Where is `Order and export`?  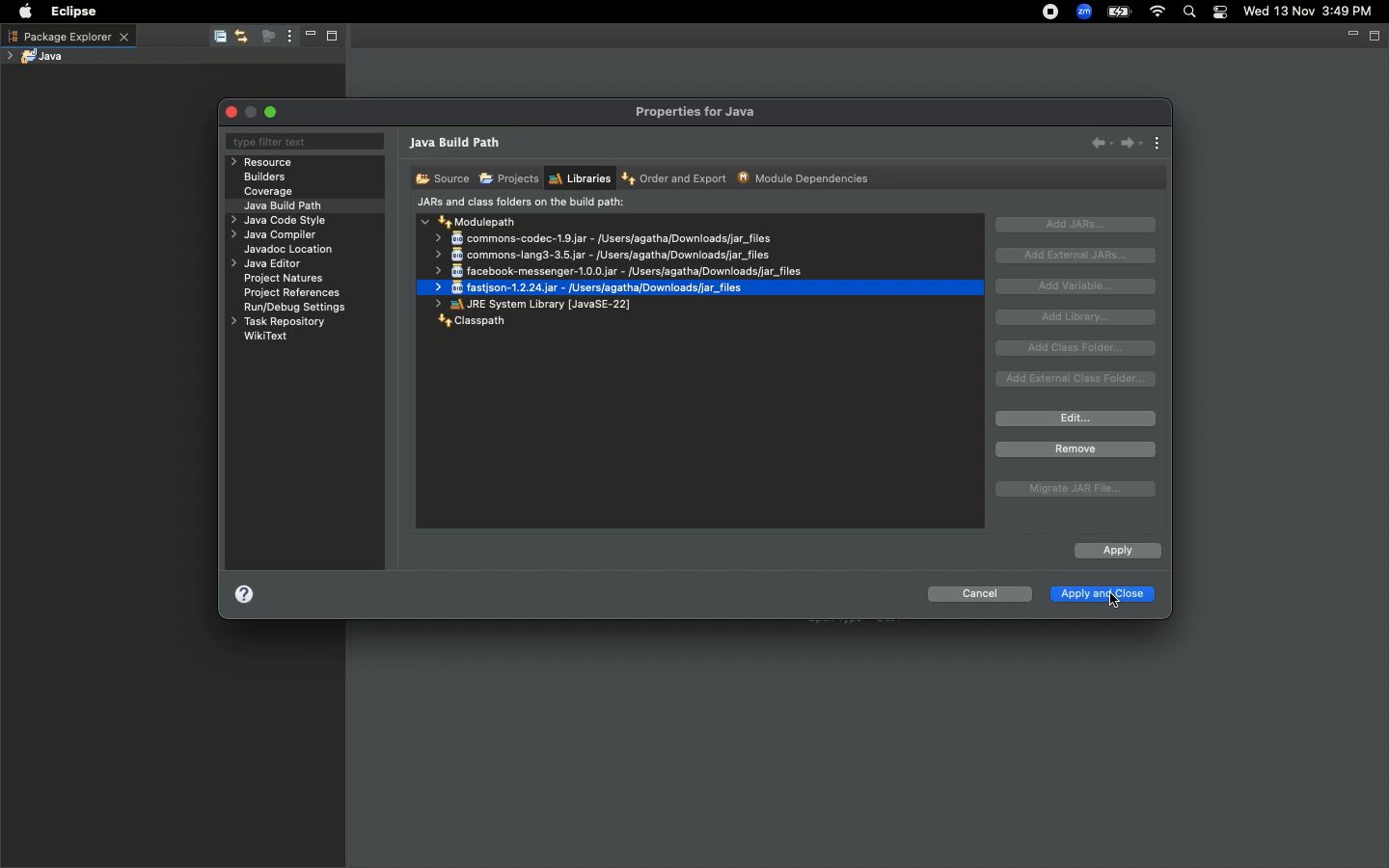 Order and export is located at coordinates (676, 179).